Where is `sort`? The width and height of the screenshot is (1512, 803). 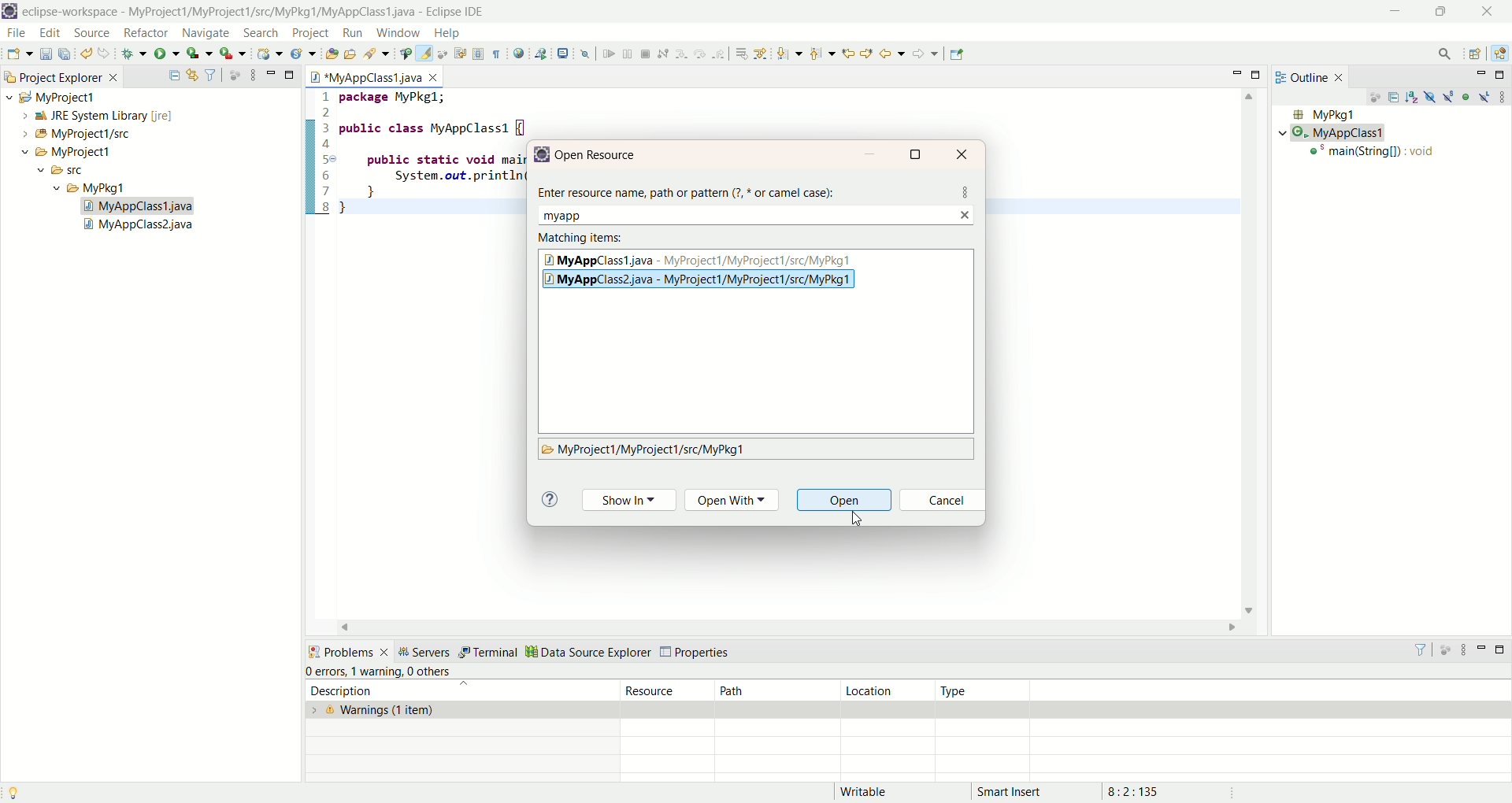
sort is located at coordinates (1414, 96).